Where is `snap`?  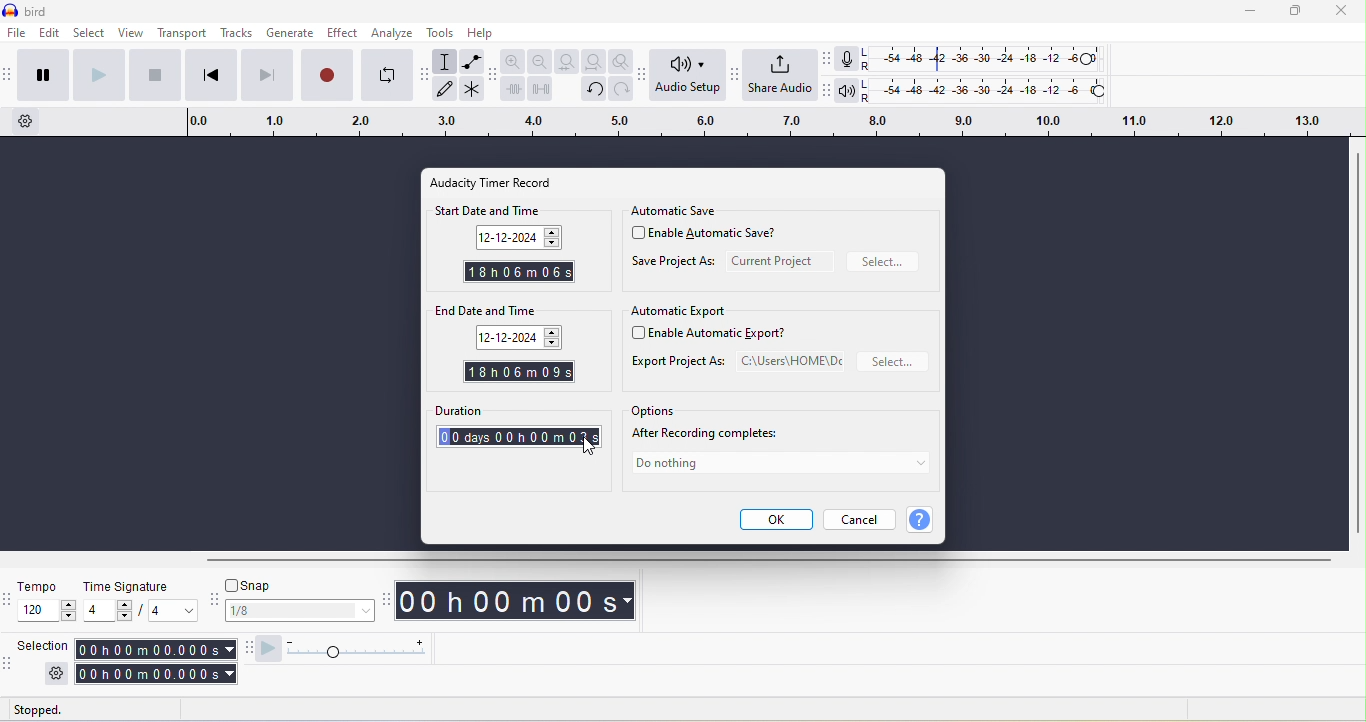 snap is located at coordinates (298, 587).